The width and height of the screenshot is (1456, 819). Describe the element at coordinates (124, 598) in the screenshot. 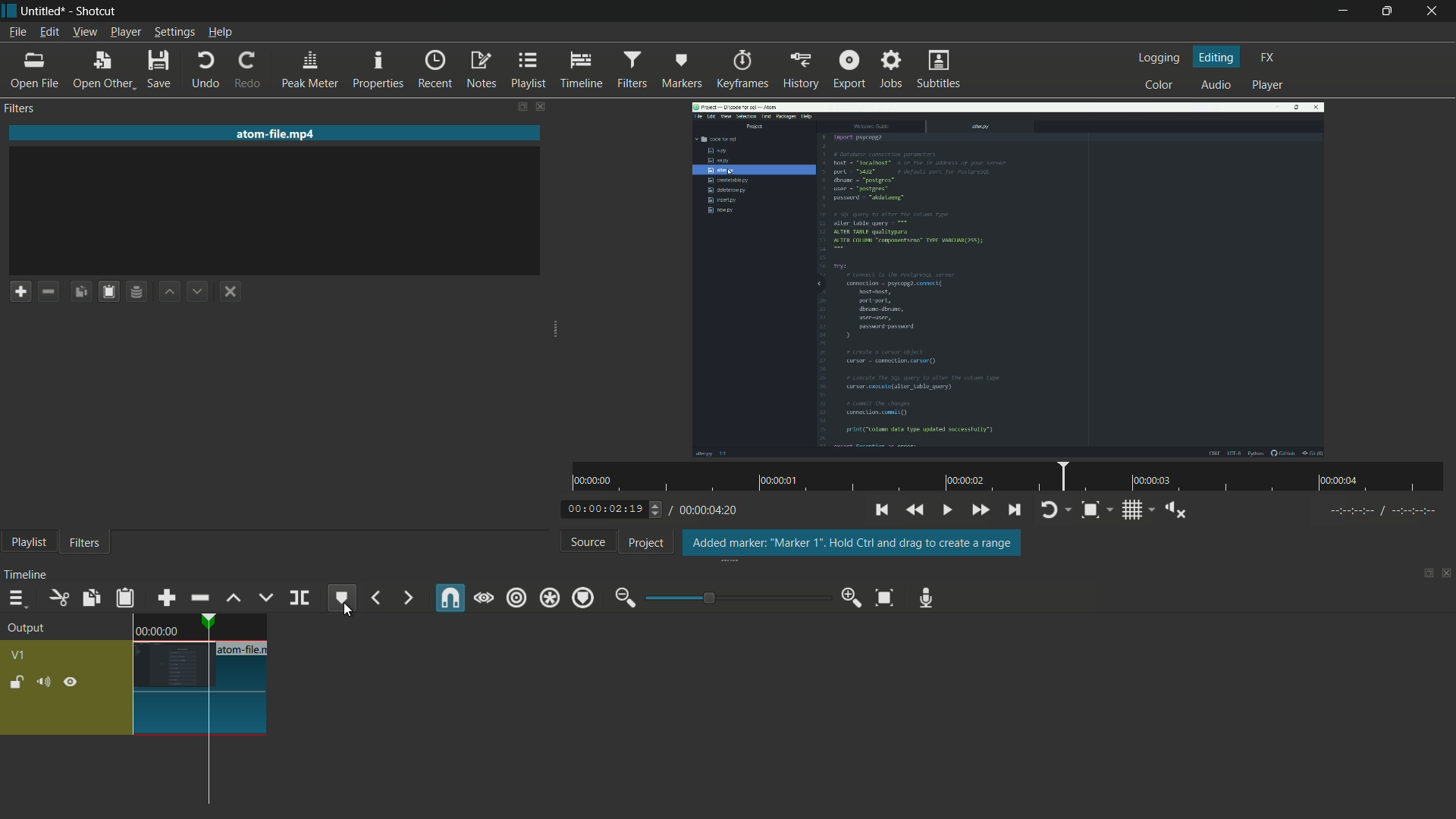

I see `paste` at that location.